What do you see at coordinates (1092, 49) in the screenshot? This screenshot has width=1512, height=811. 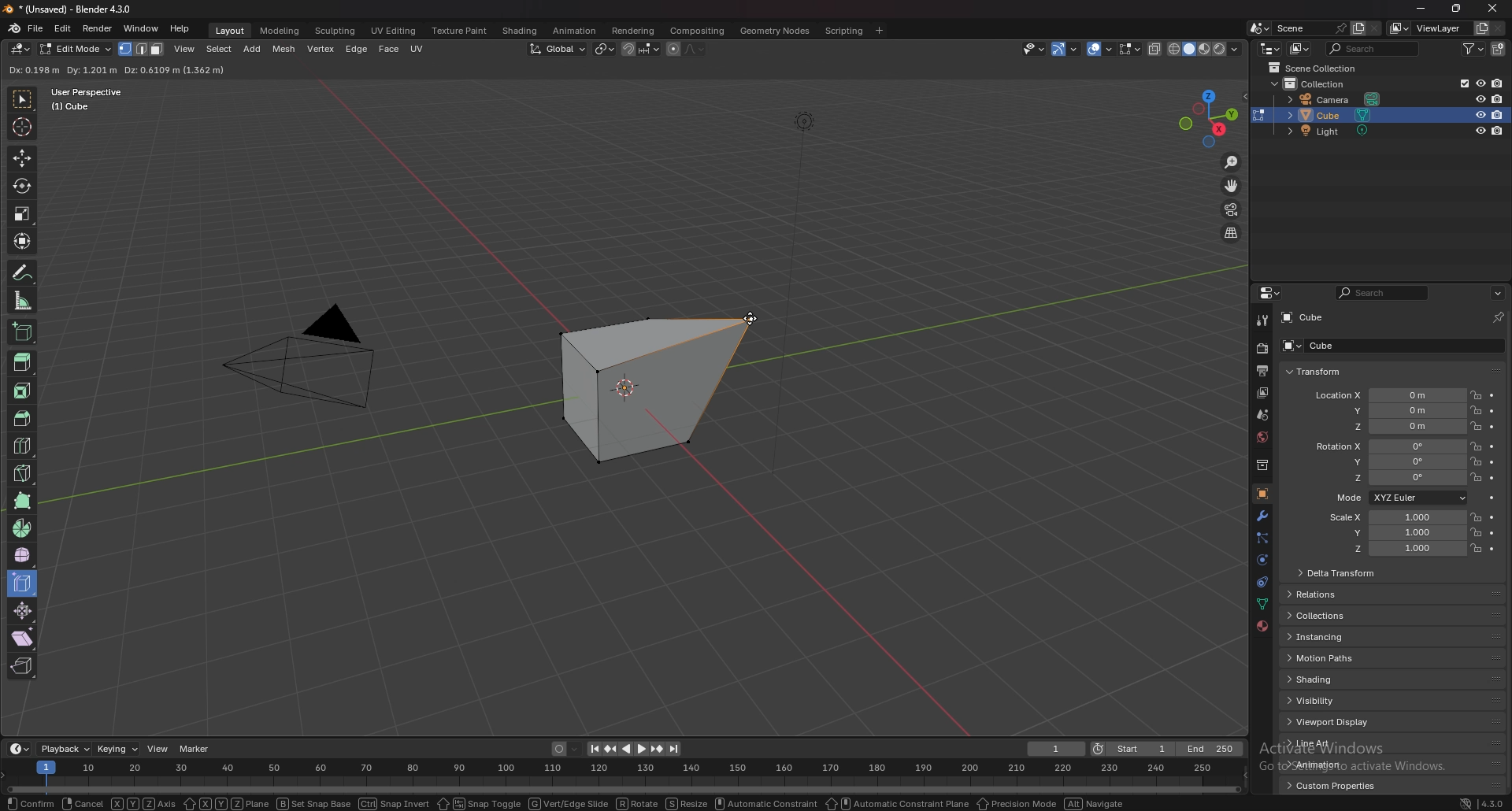 I see `show gizmo` at bounding box center [1092, 49].